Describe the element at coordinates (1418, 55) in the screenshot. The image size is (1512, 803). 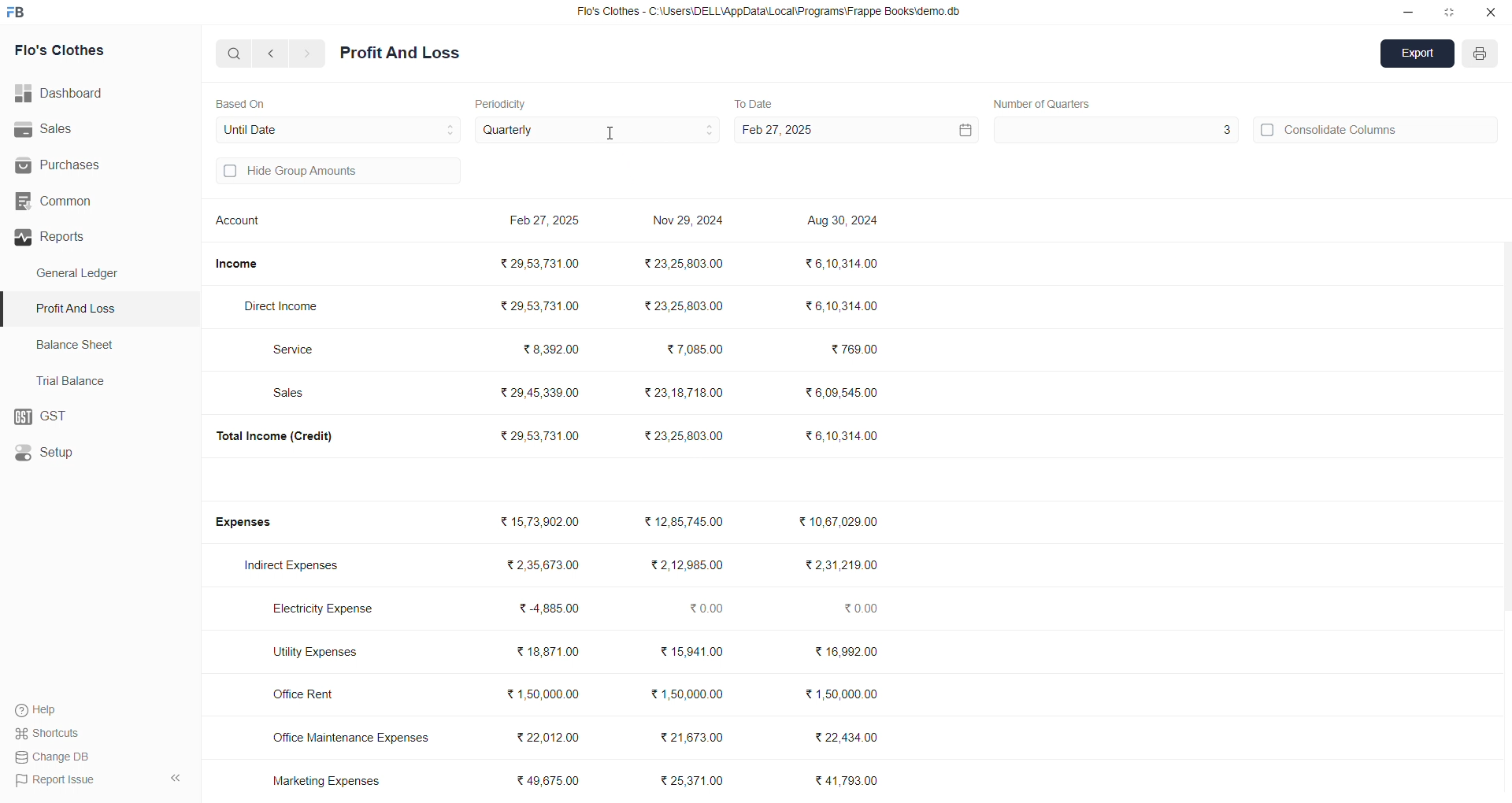
I see `Export` at that location.